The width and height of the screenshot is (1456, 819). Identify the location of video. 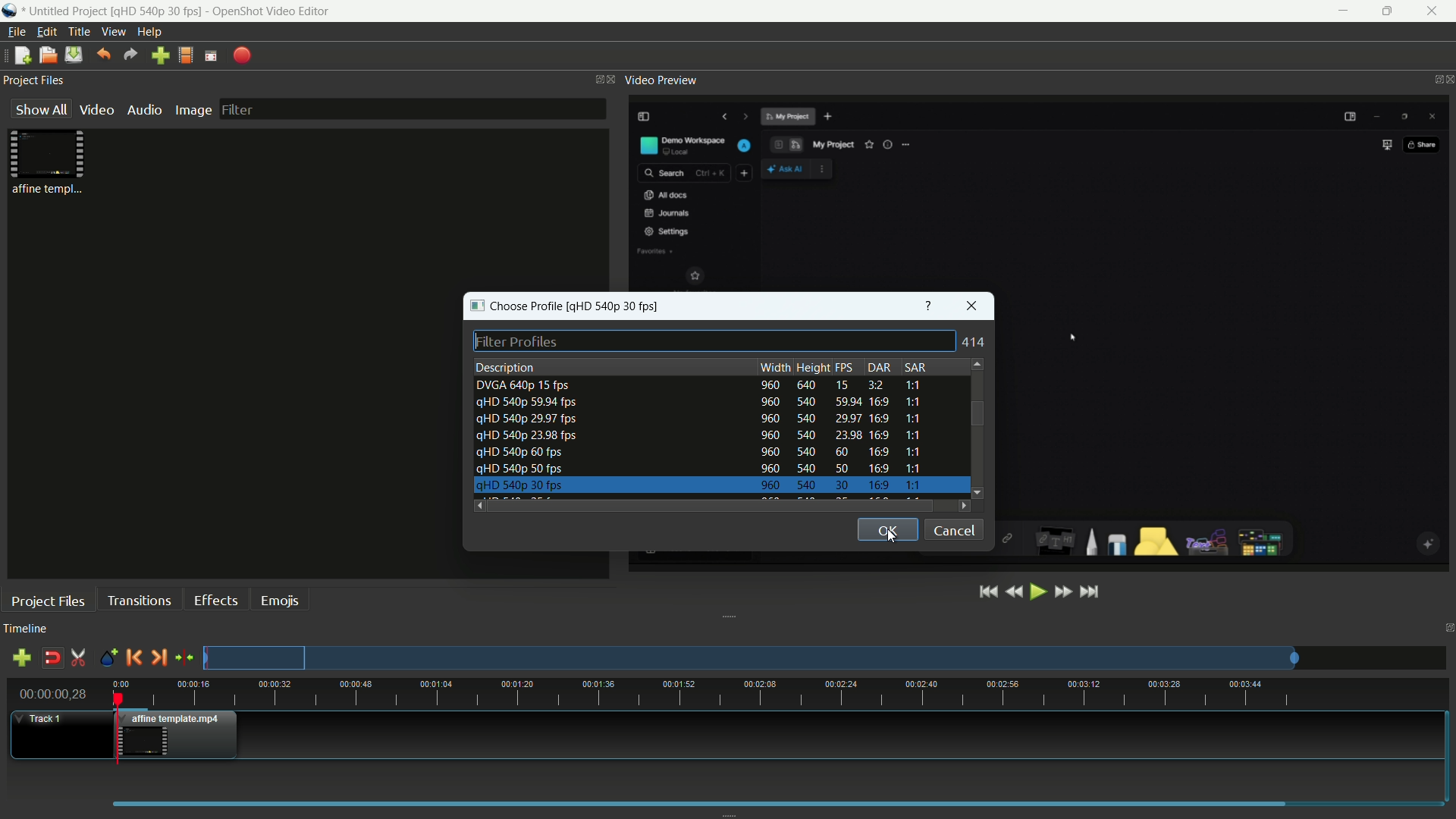
(97, 110).